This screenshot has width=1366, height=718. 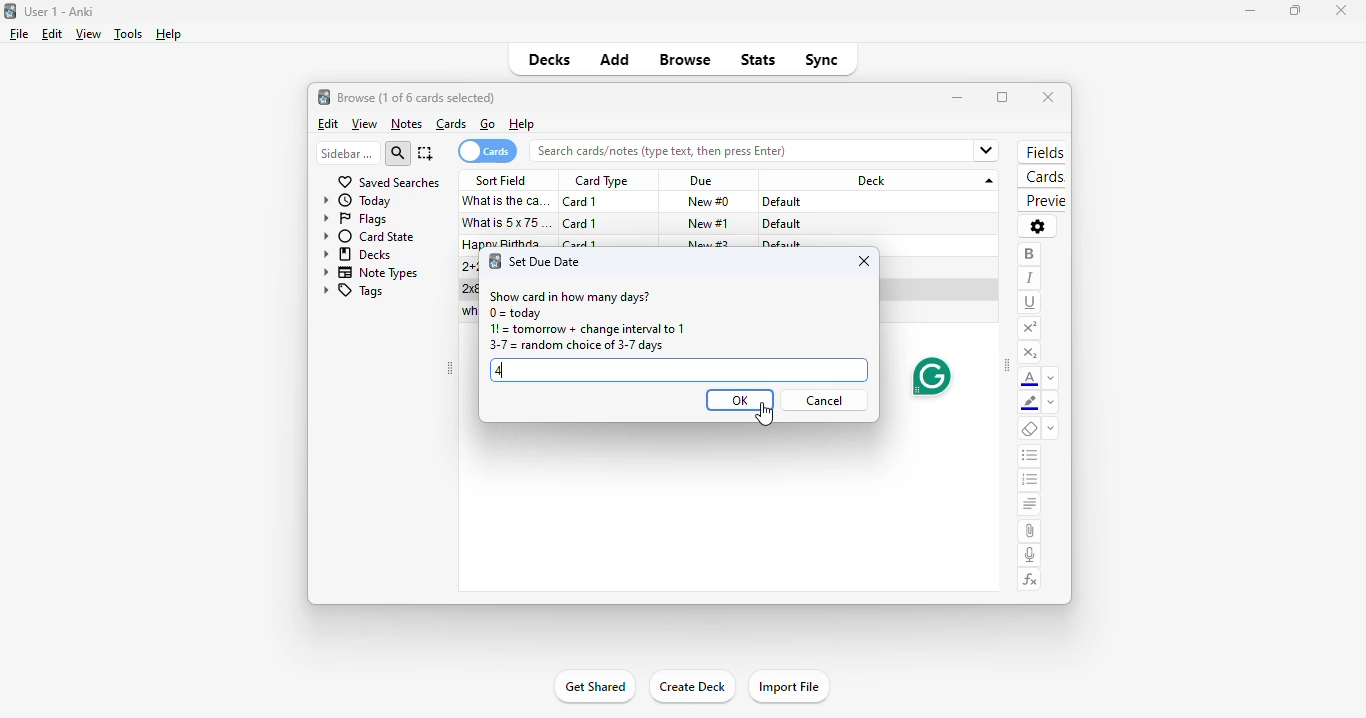 I want to click on superscript, so click(x=1029, y=328).